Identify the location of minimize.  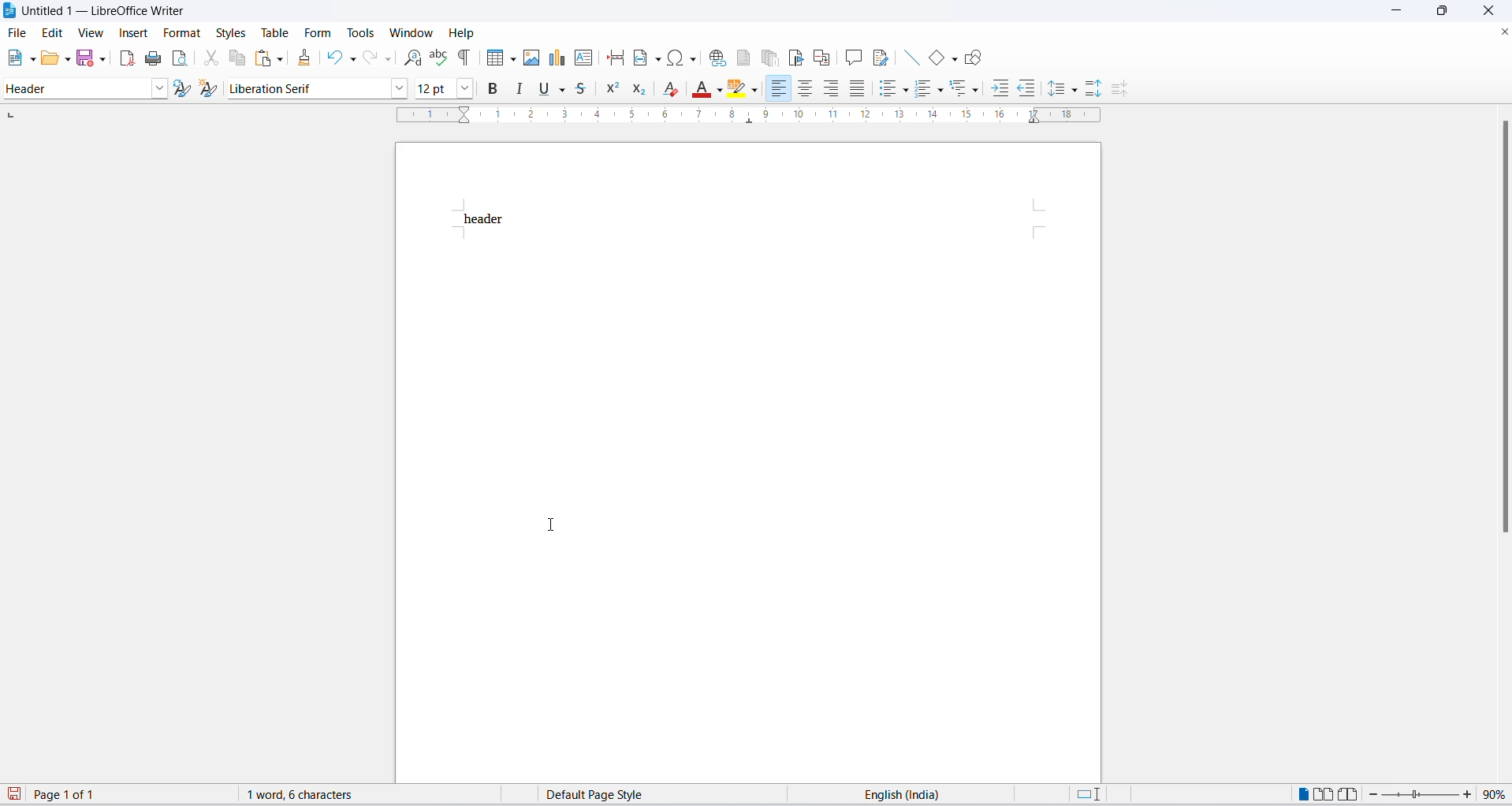
(1400, 12).